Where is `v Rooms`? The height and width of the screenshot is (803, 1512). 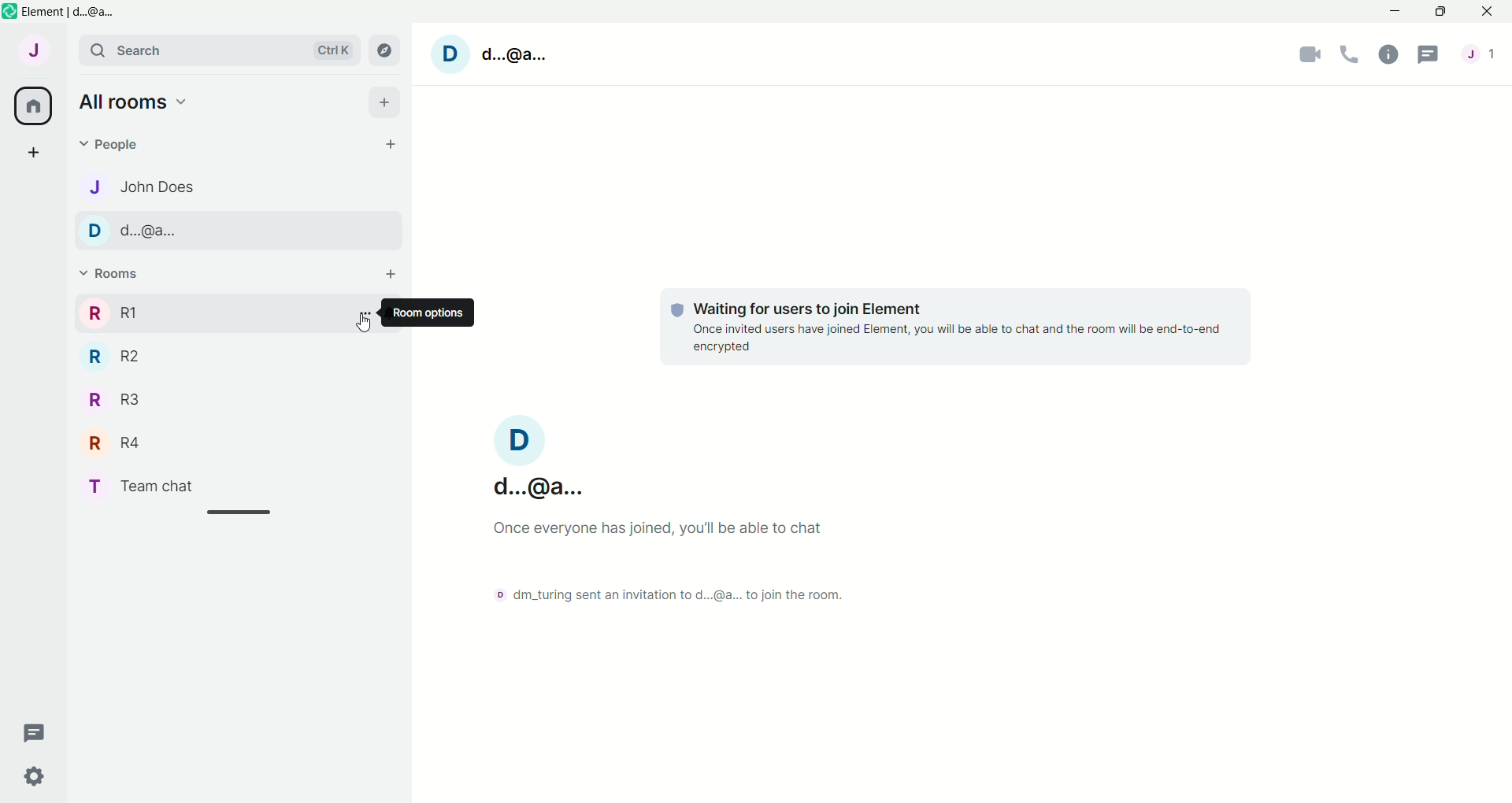 v Rooms is located at coordinates (129, 276).